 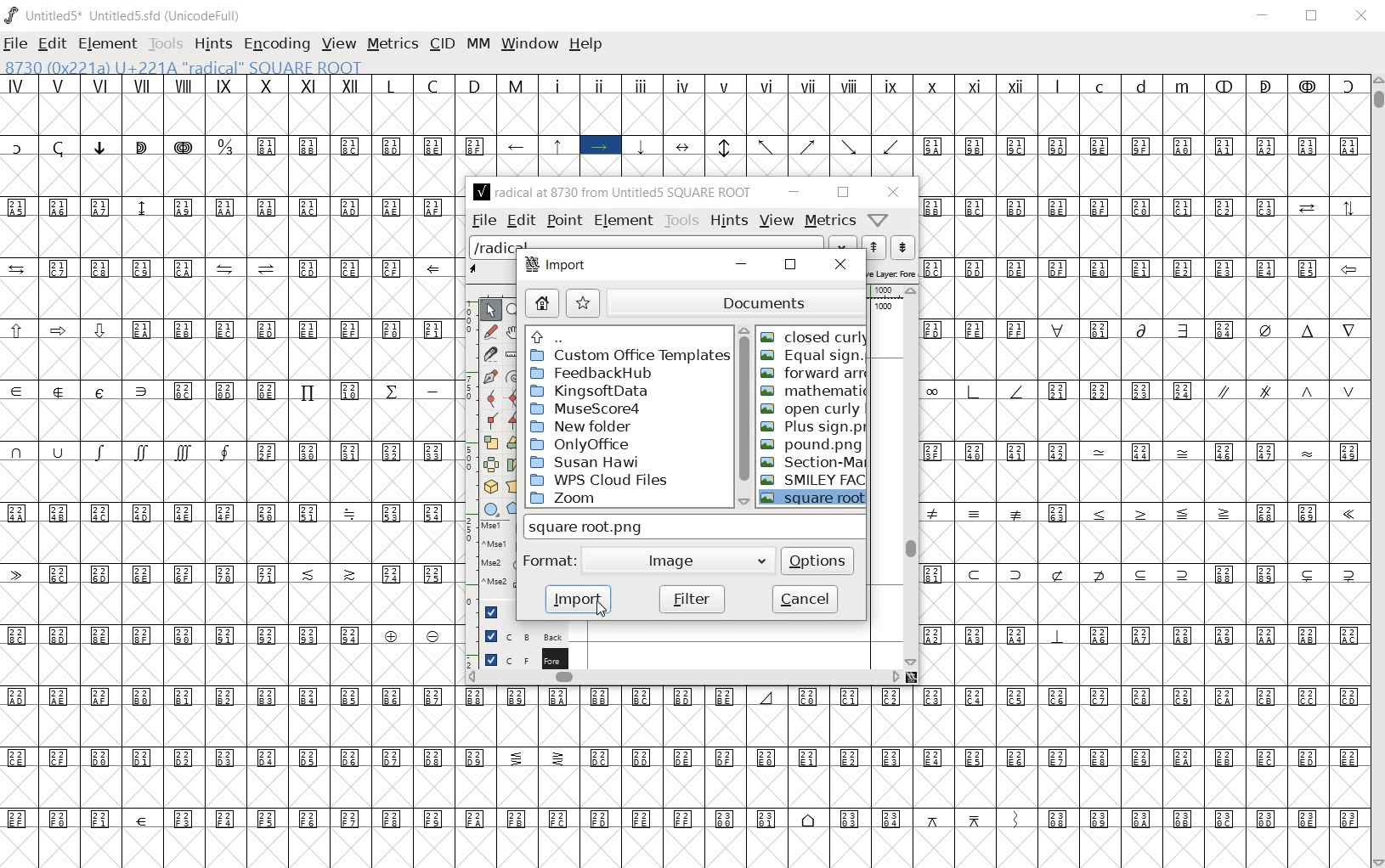 I want to click on VIEW, so click(x=337, y=44).